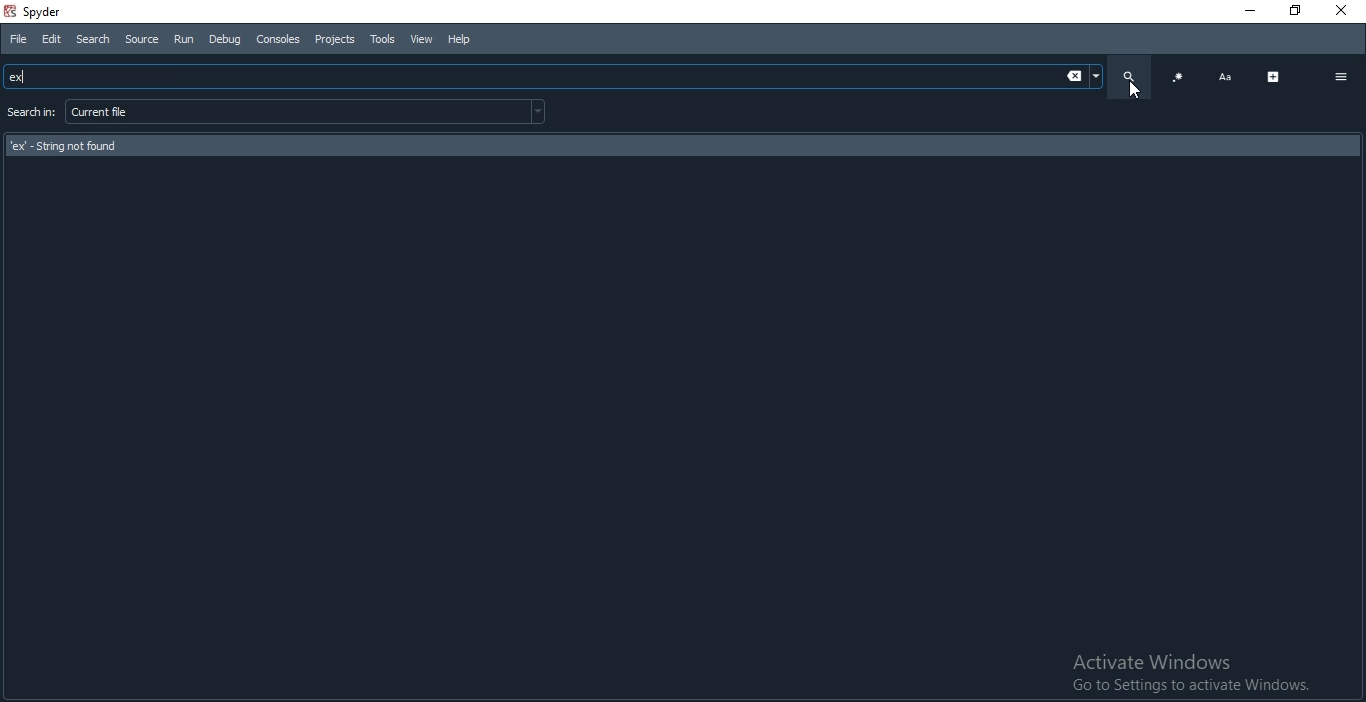 Image resolution: width=1366 pixels, height=702 pixels. I want to click on current file, so click(307, 111).